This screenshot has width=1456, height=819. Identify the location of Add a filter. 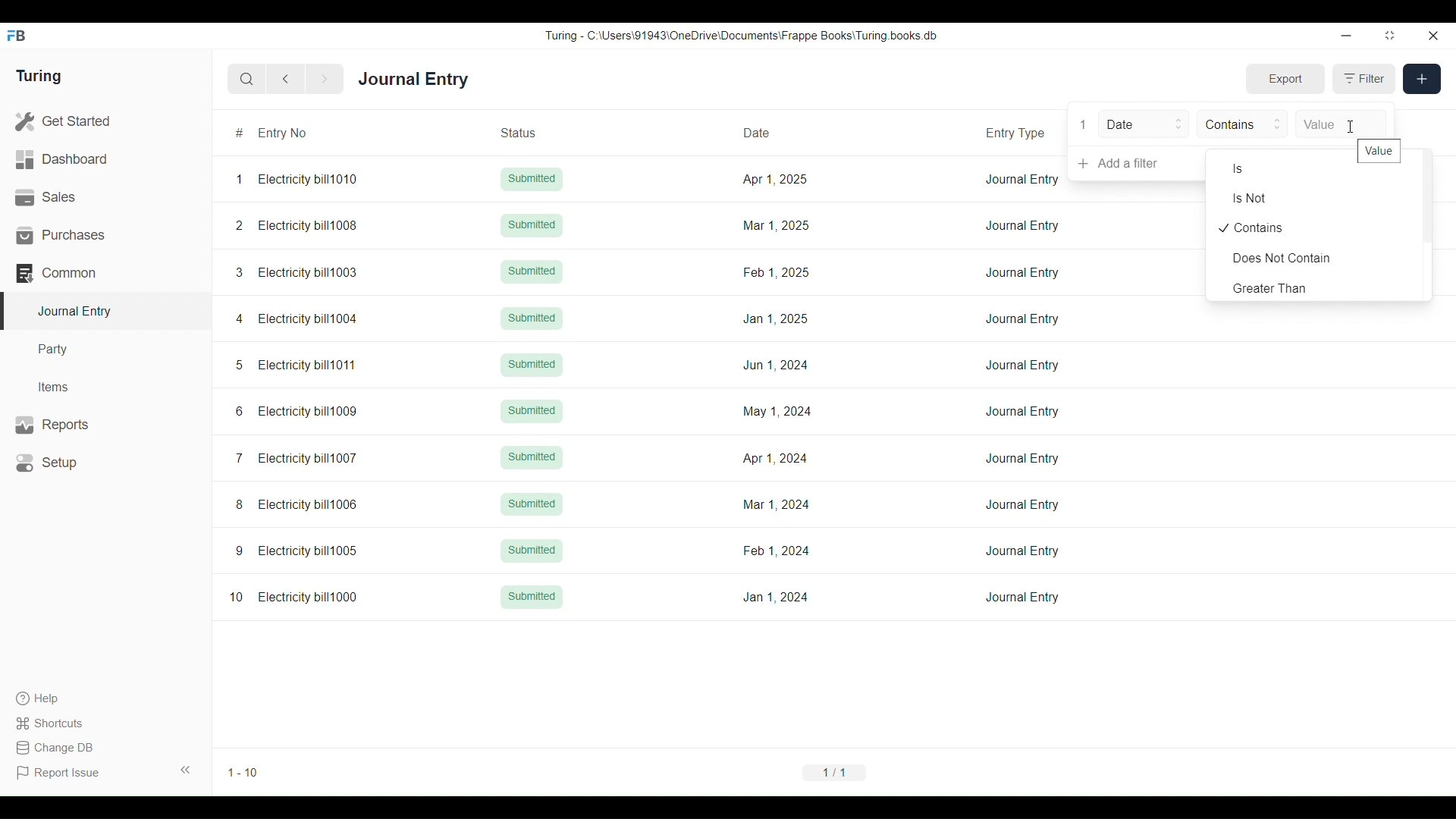
(1137, 164).